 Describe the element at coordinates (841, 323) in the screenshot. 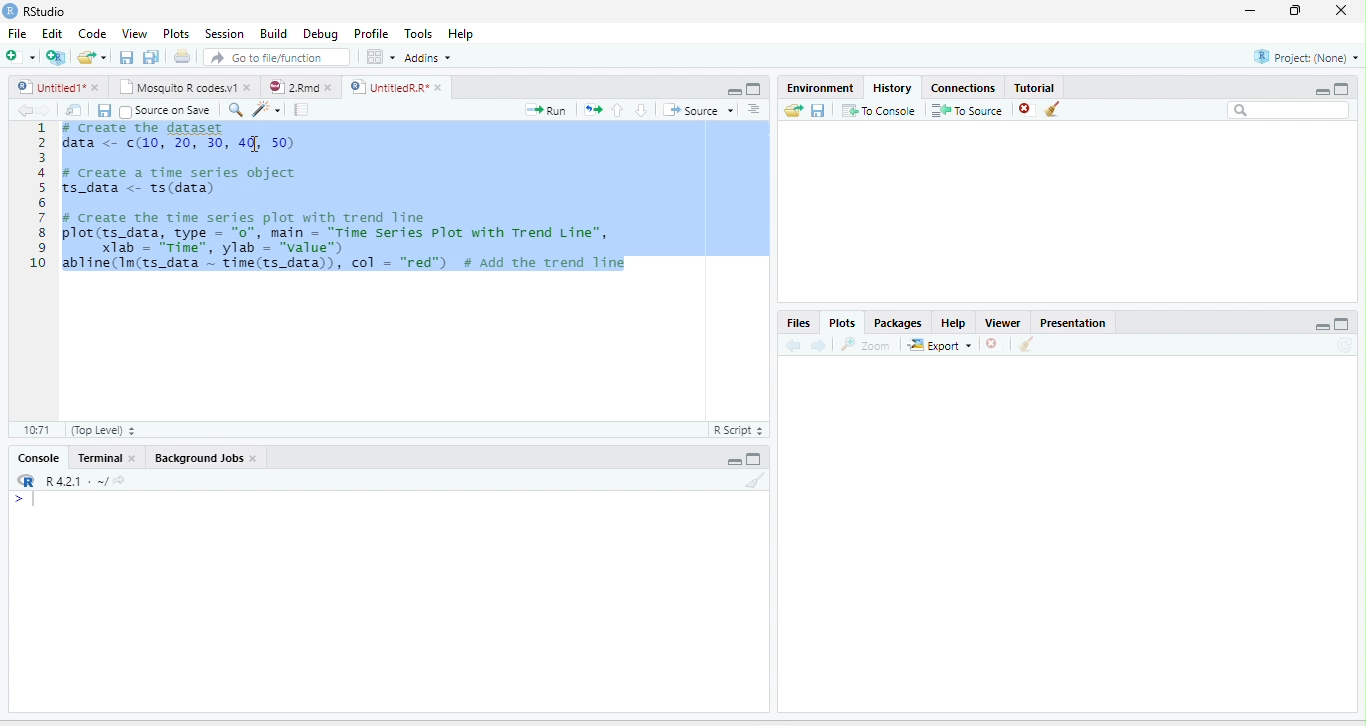

I see `Plots` at that location.